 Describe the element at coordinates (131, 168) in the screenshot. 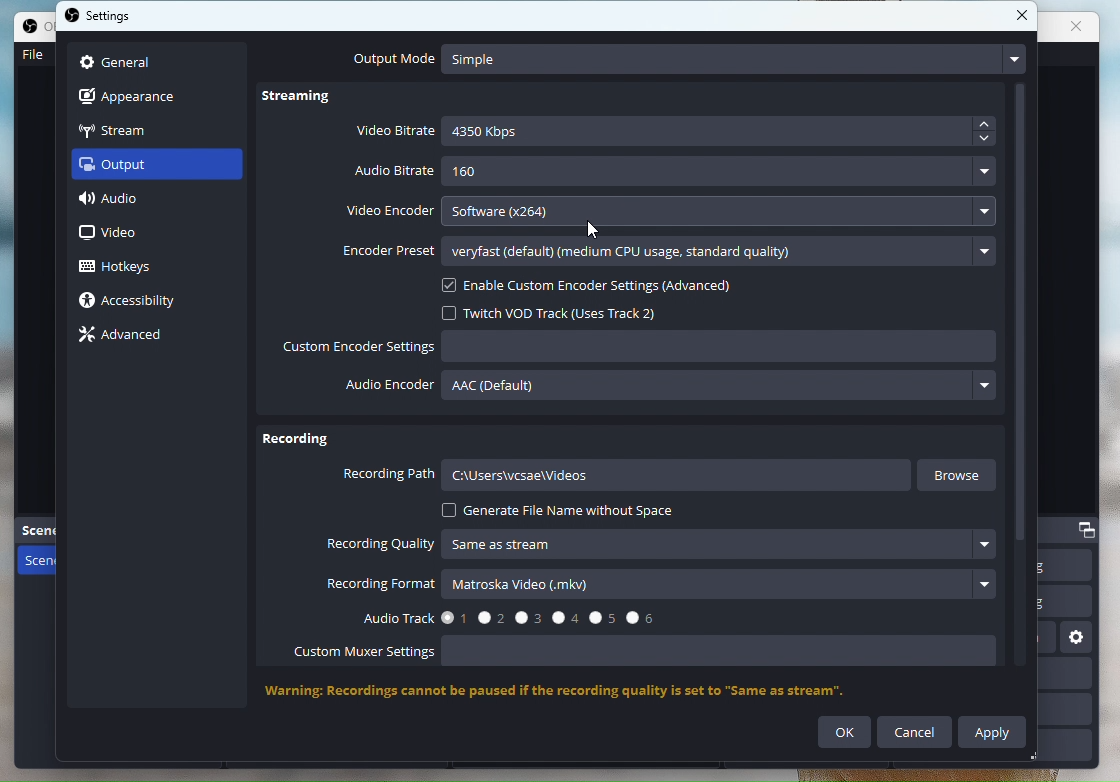

I see `output` at that location.